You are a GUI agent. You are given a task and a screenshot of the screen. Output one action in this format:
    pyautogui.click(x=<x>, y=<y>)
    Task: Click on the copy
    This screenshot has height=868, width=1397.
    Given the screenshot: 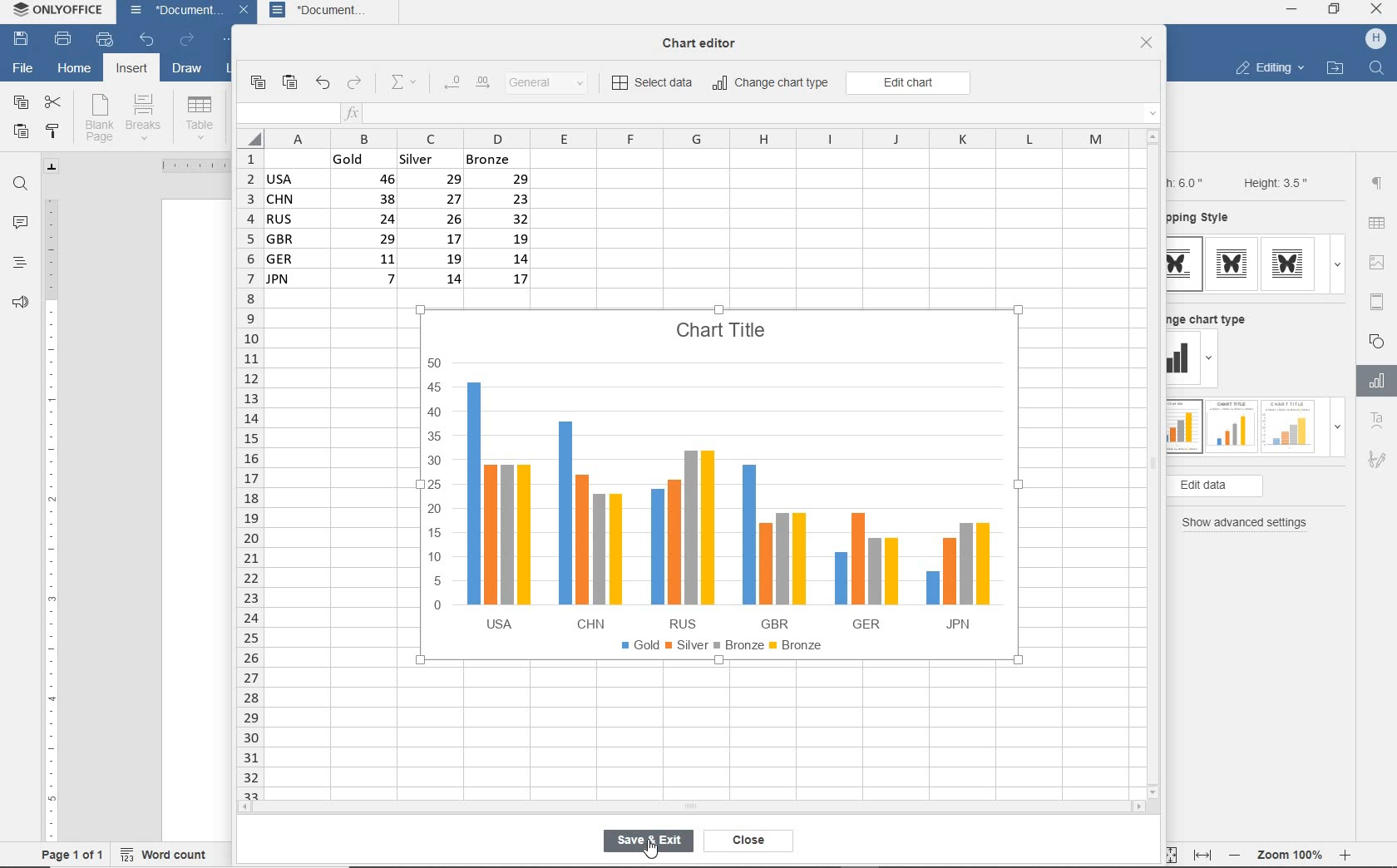 What is the action you would take?
    pyautogui.click(x=257, y=82)
    